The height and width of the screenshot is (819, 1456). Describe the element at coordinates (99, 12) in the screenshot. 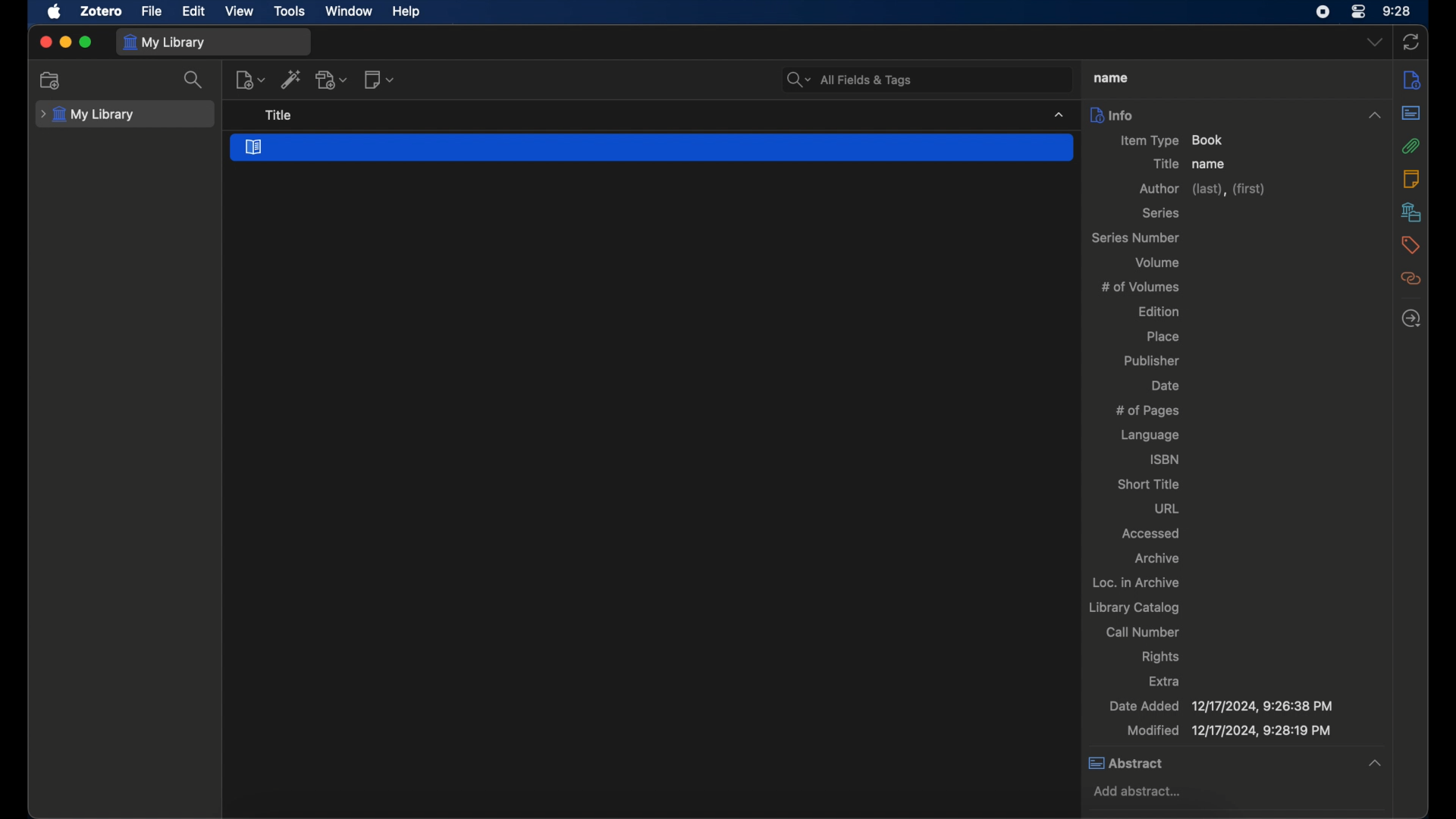

I see `zotero` at that location.